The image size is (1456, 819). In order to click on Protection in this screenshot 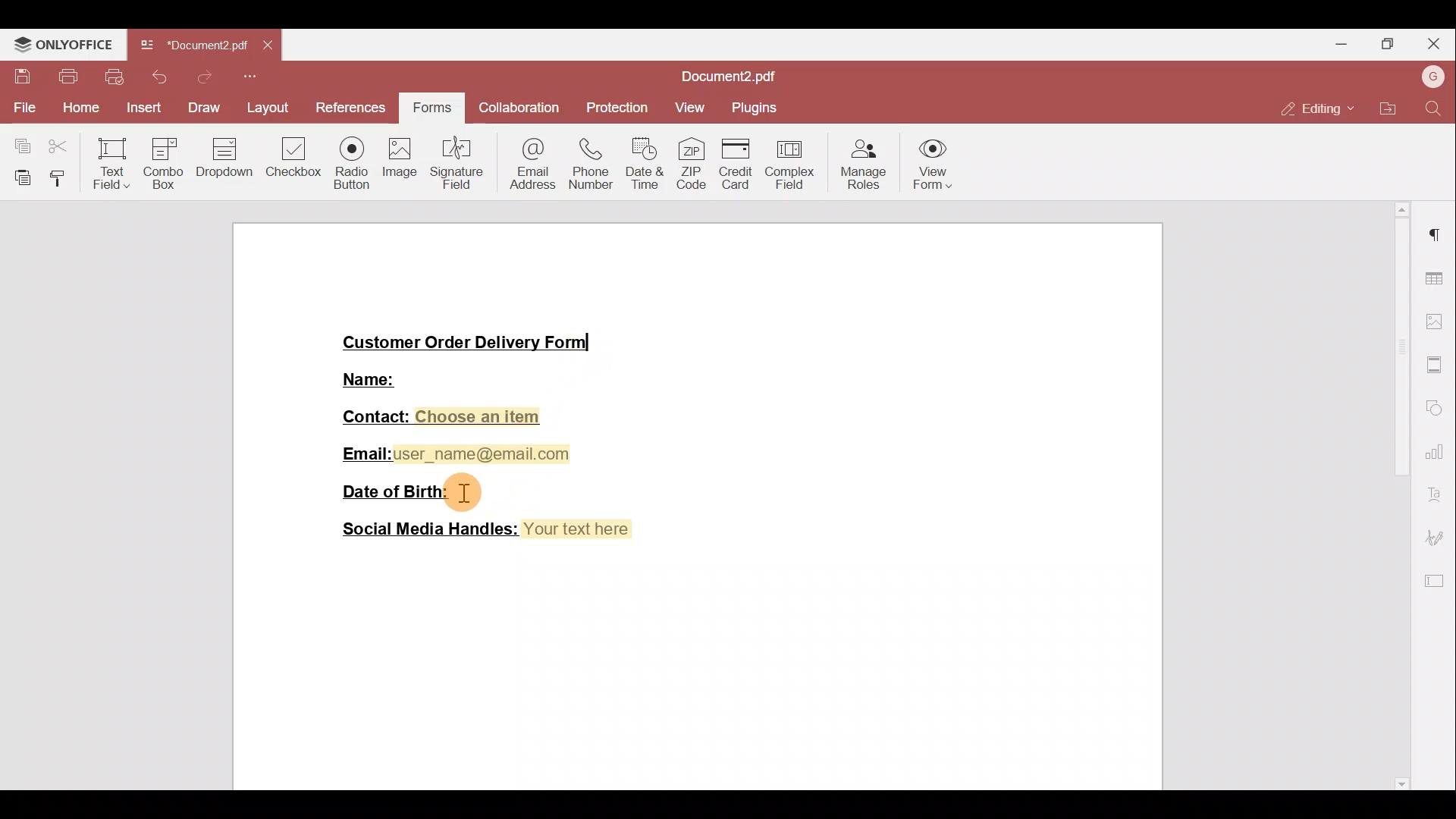, I will do `click(622, 108)`.